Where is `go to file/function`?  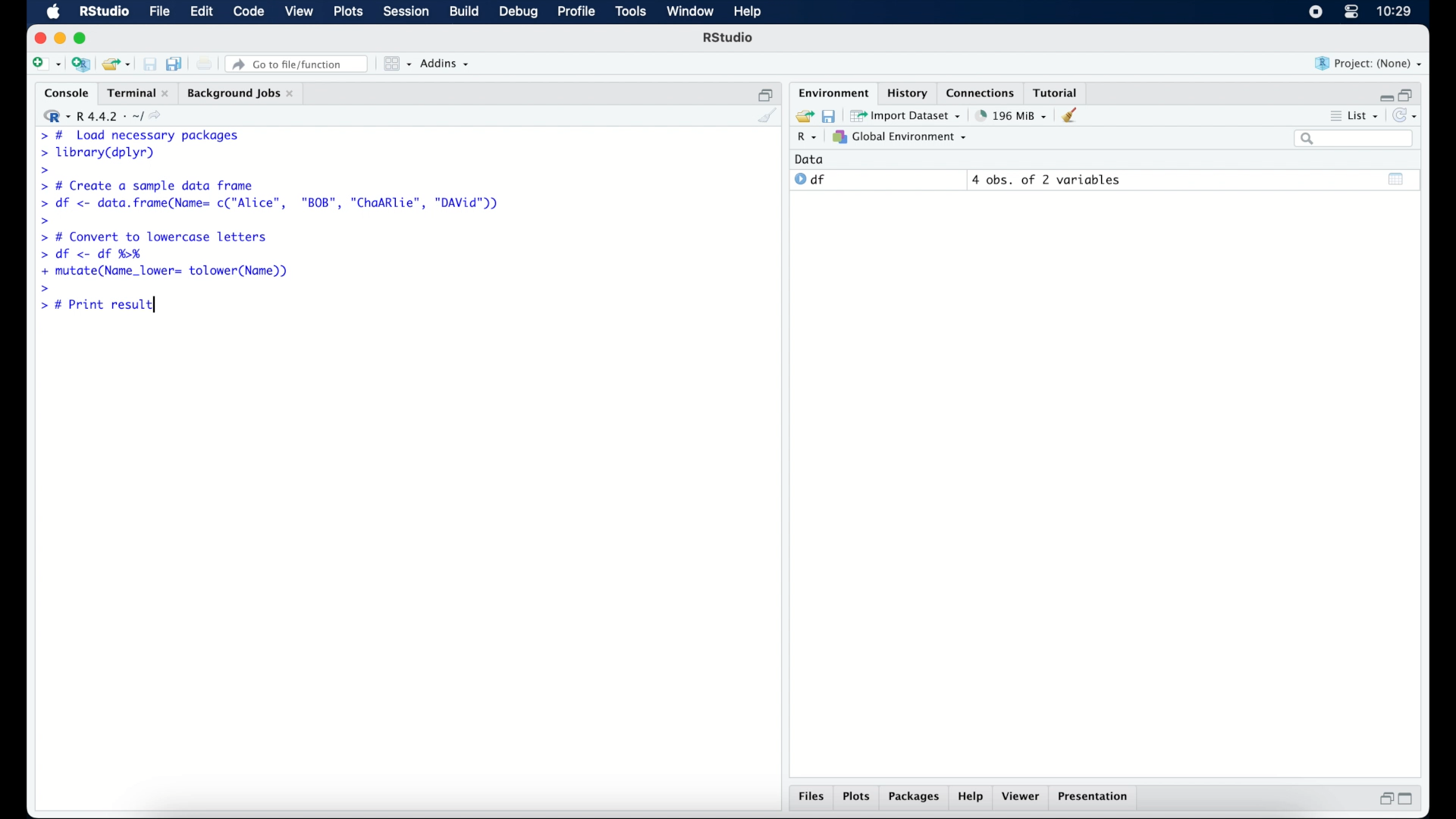 go to file/function is located at coordinates (297, 64).